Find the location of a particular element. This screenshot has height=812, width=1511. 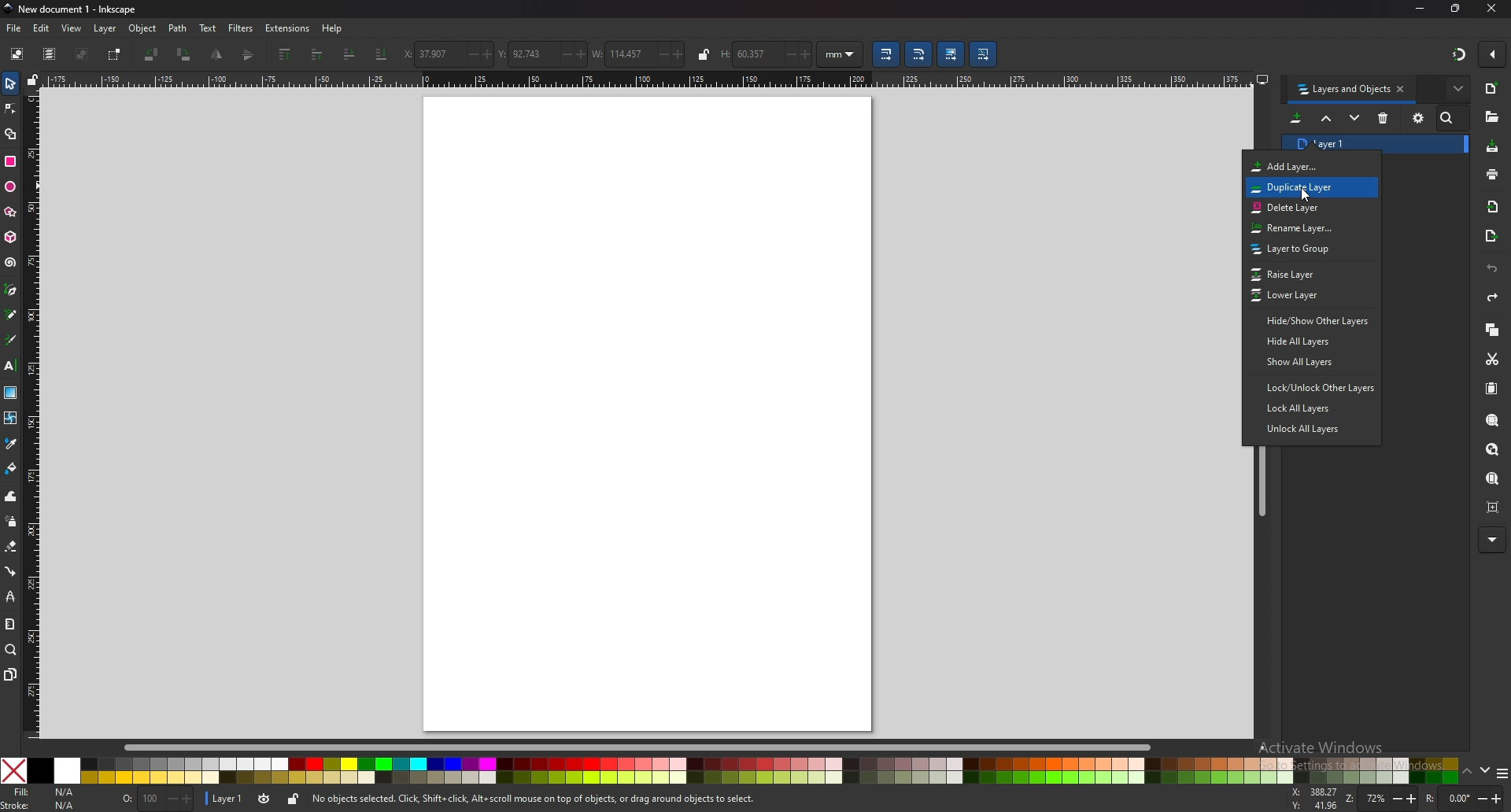

extensions is located at coordinates (287, 28).